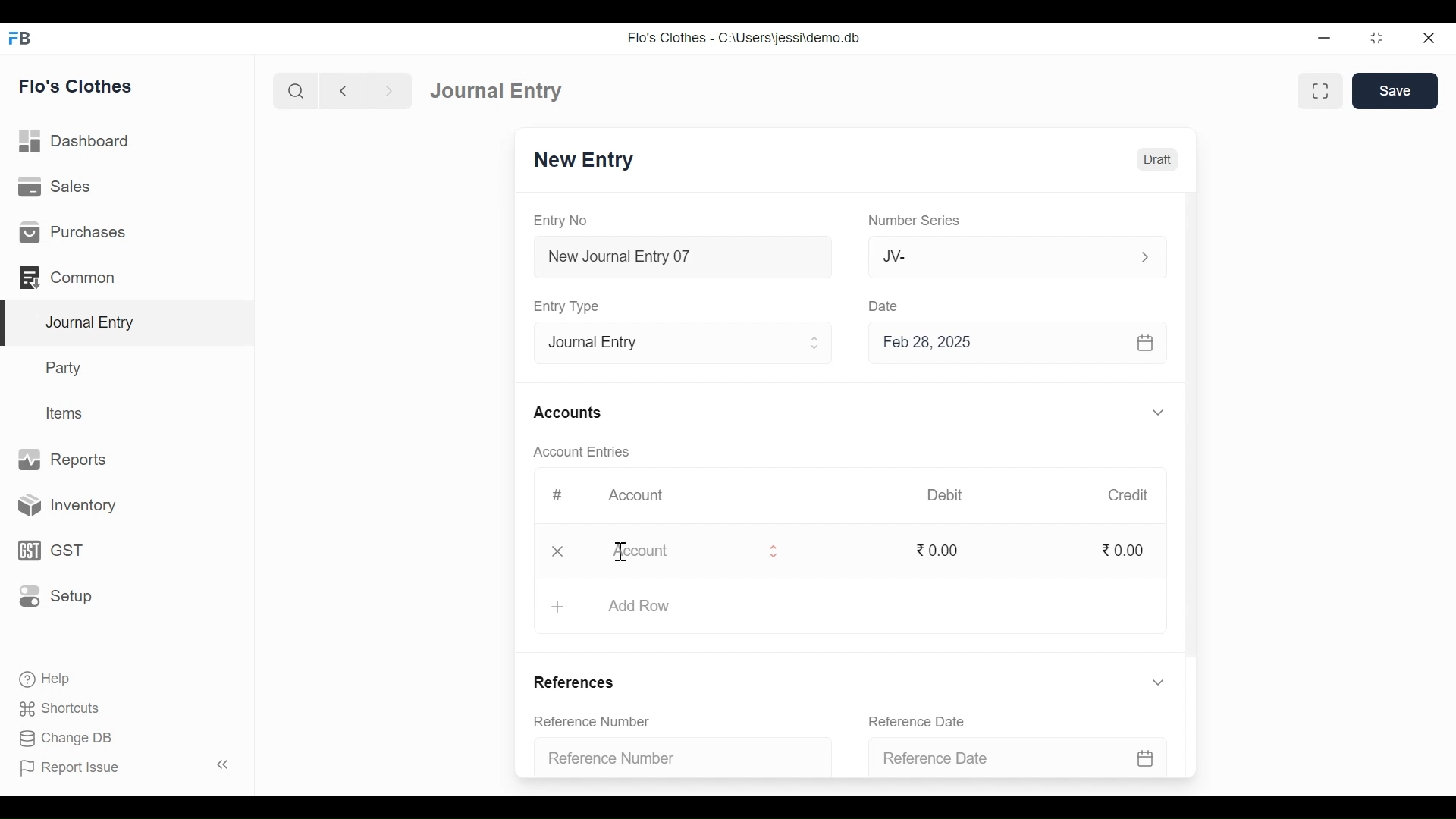  I want to click on Dashboard, so click(75, 140).